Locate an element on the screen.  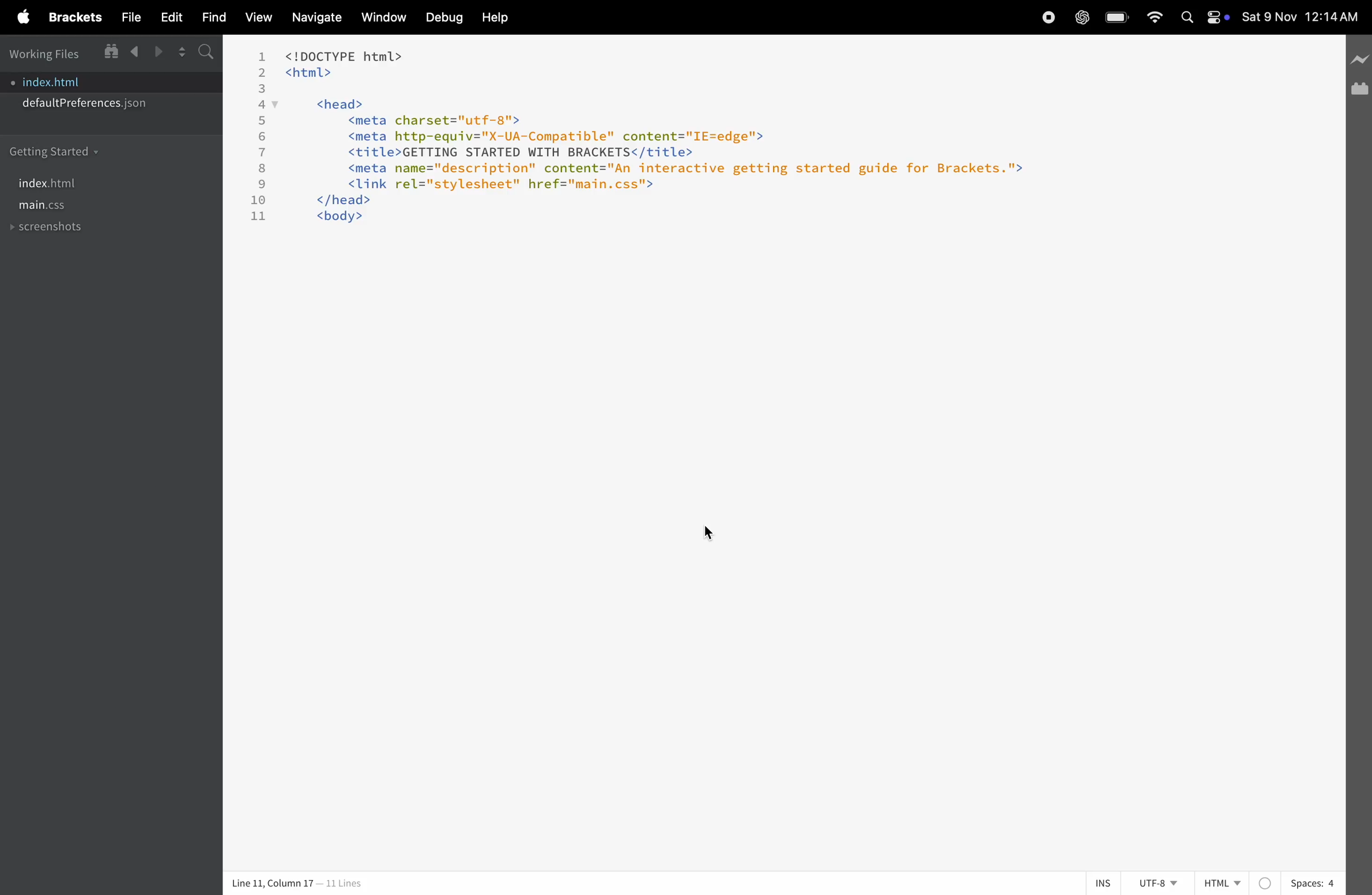
forward is located at coordinates (160, 52).